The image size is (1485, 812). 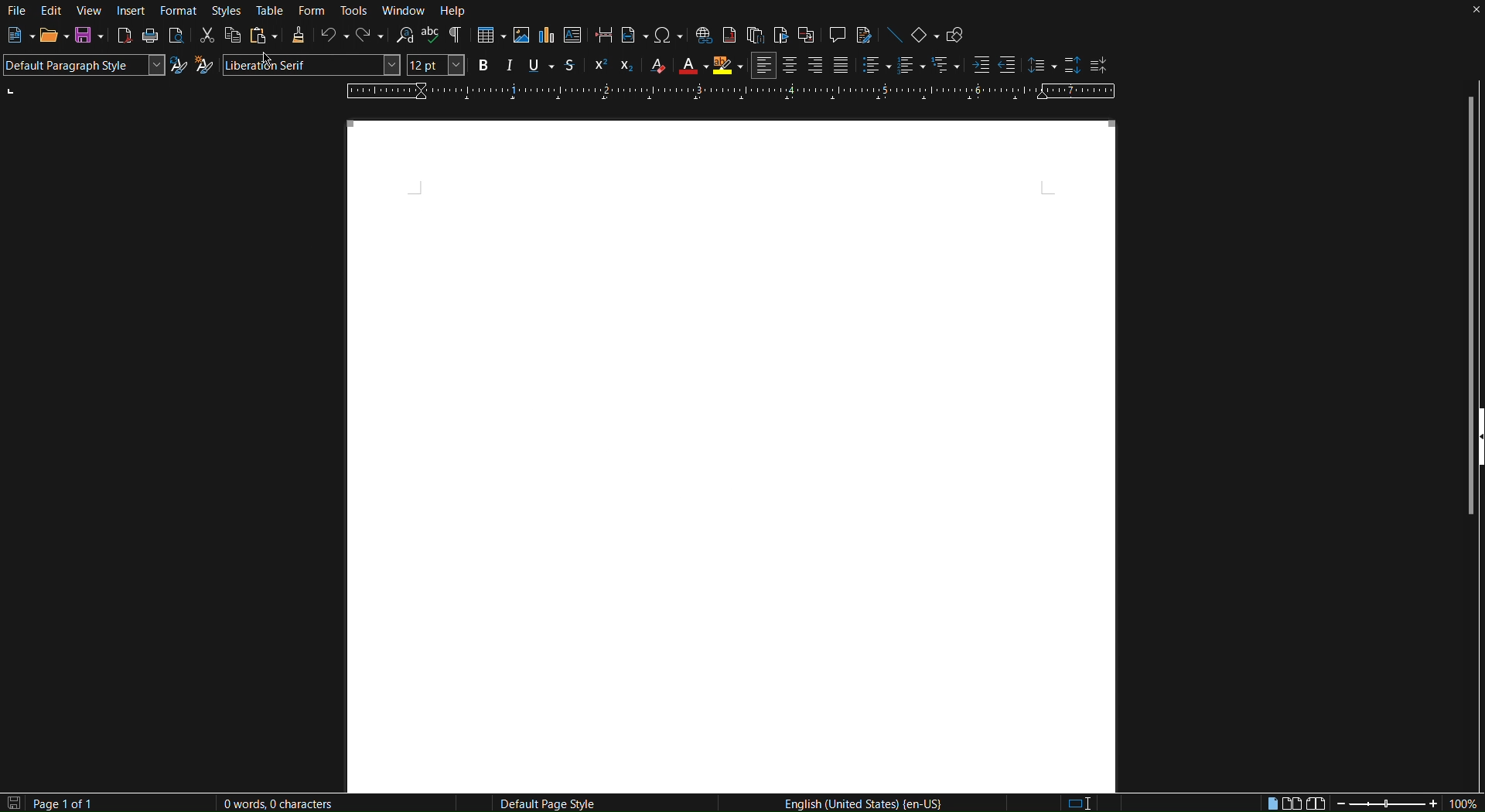 What do you see at coordinates (264, 38) in the screenshot?
I see `Paste` at bounding box center [264, 38].